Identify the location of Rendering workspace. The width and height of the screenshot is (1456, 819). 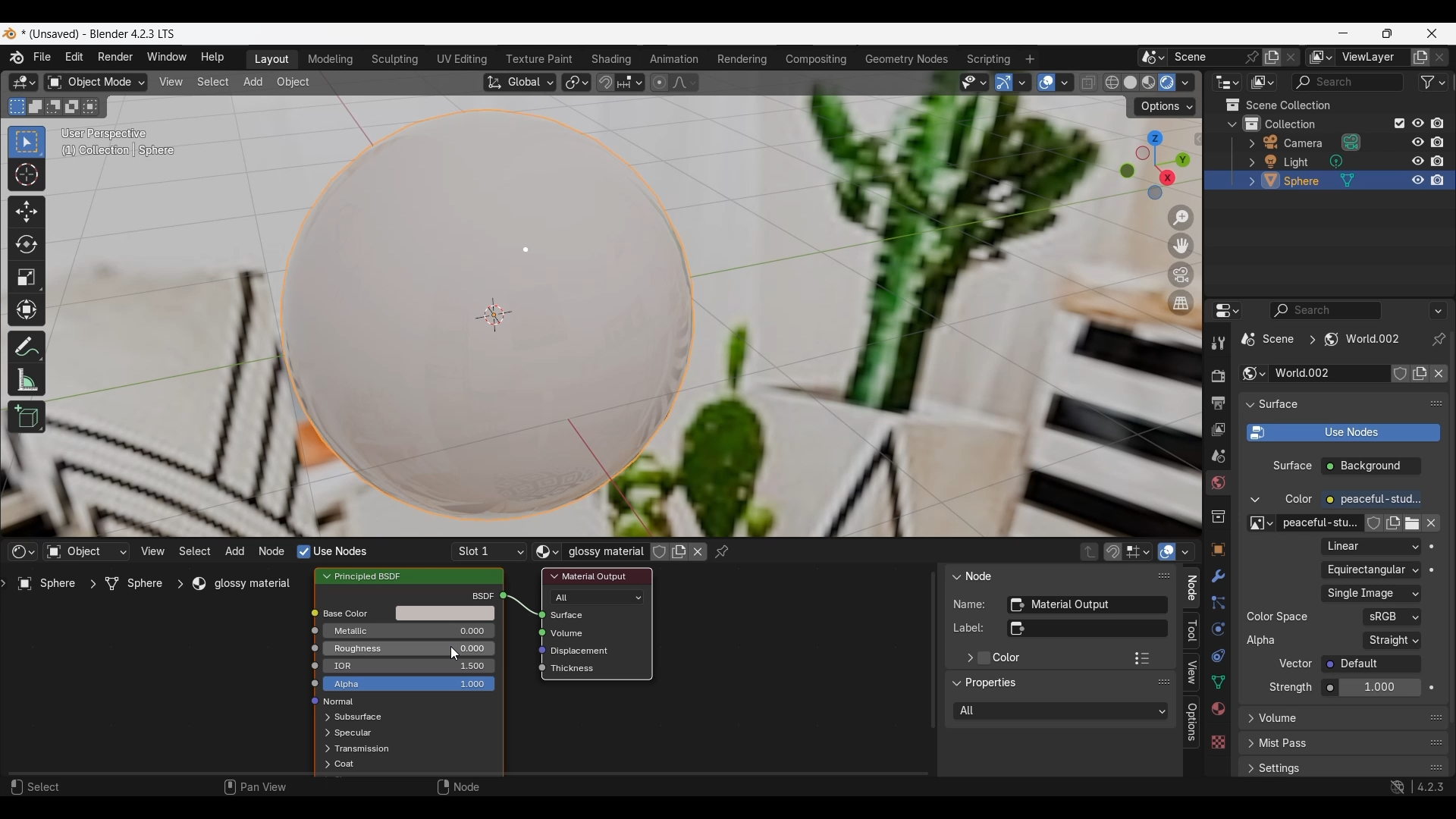
(742, 59).